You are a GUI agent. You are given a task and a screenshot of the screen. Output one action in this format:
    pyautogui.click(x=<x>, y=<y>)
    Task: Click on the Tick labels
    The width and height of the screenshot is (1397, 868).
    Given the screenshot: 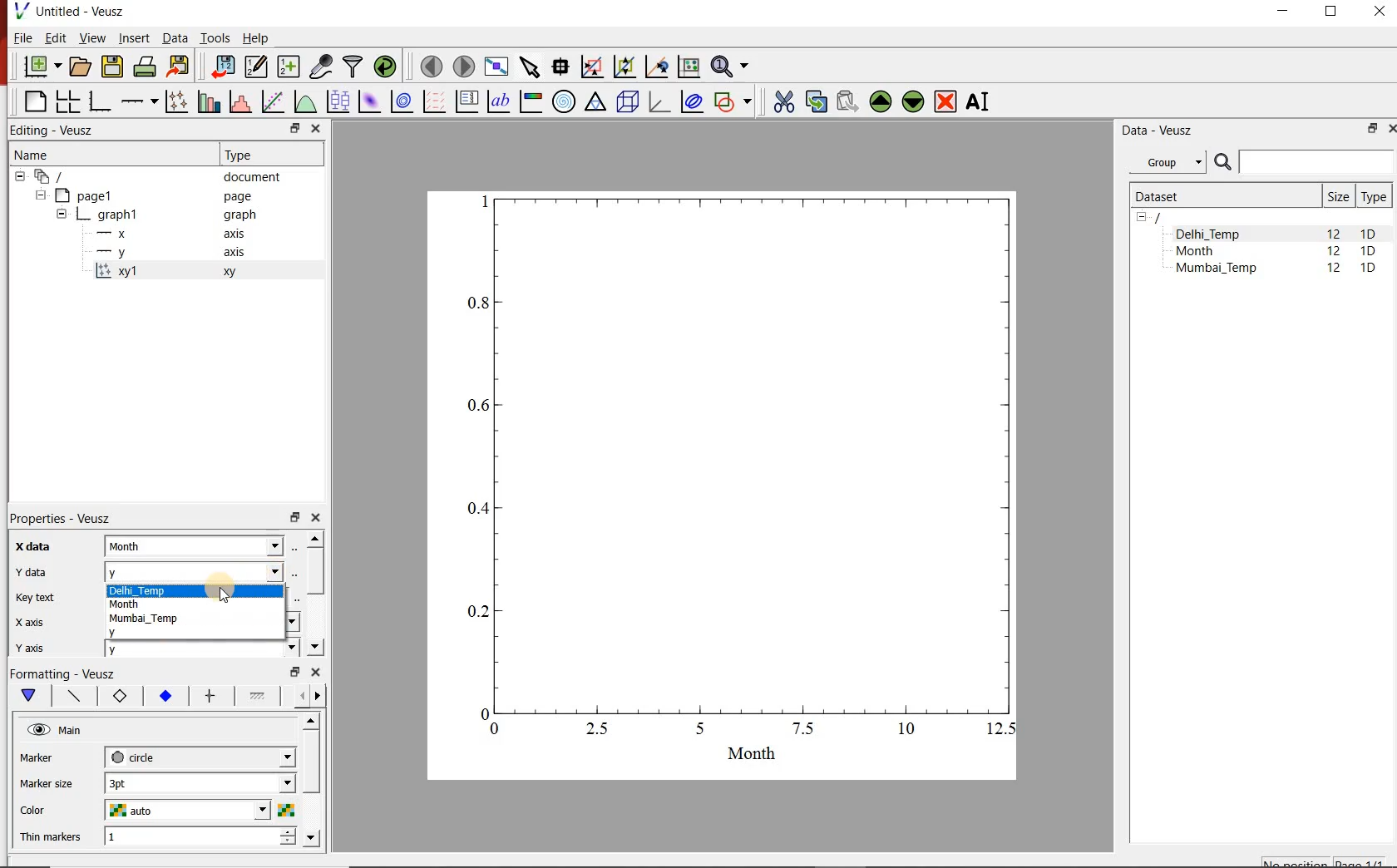 What is the action you would take?
    pyautogui.click(x=164, y=693)
    